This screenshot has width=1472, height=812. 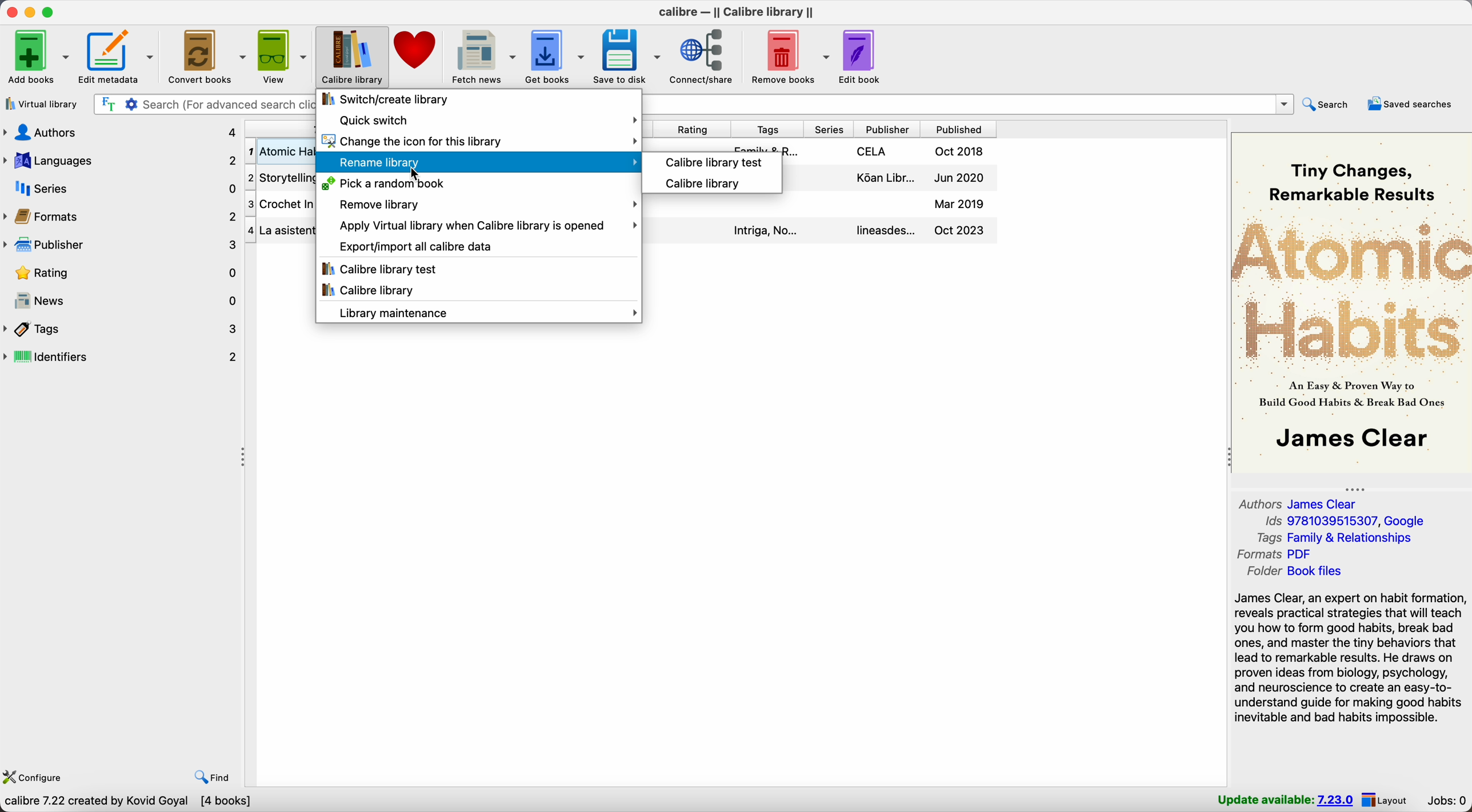 I want to click on formats PDF, so click(x=1274, y=554).